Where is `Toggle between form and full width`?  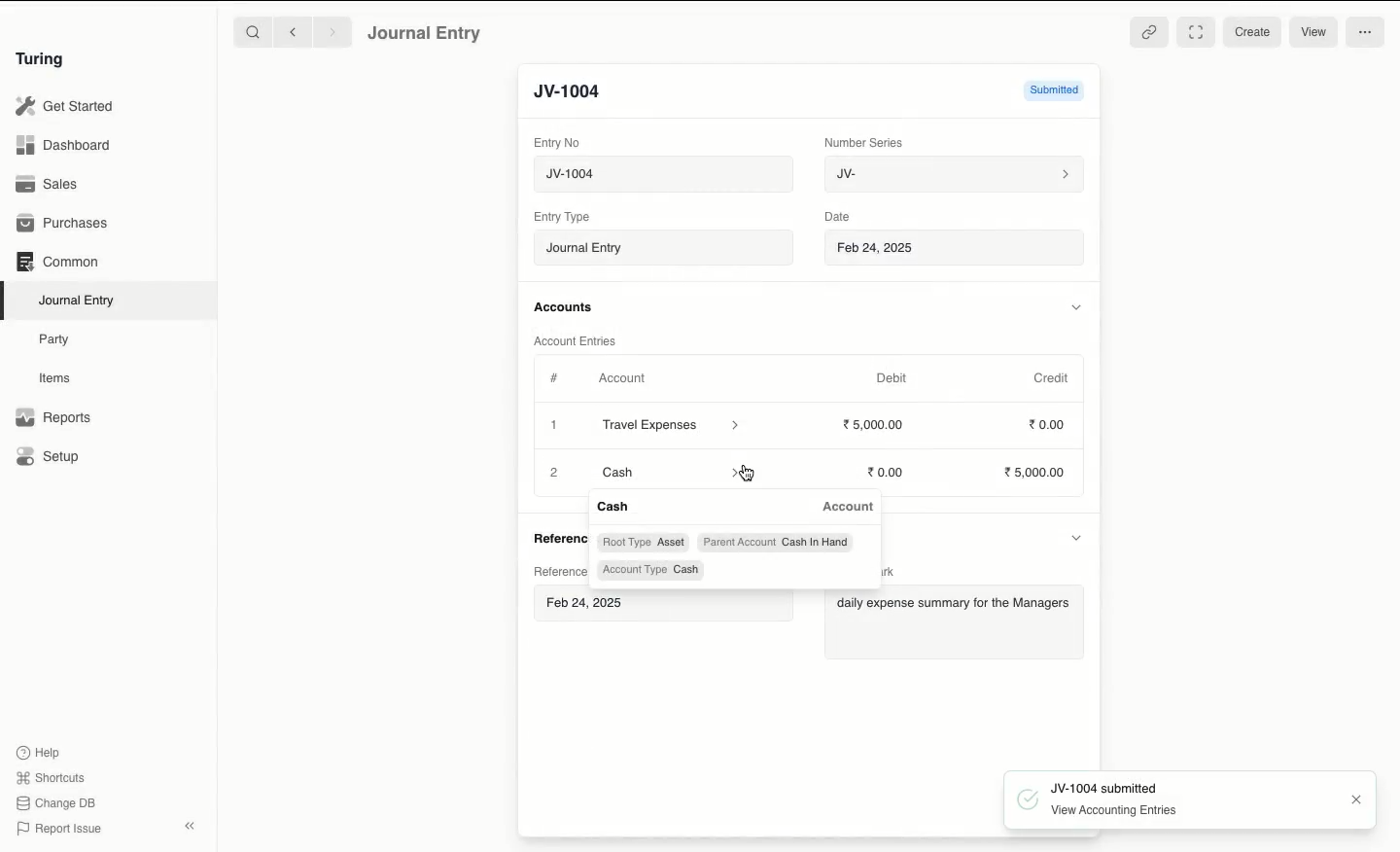 Toggle between form and full width is located at coordinates (1196, 33).